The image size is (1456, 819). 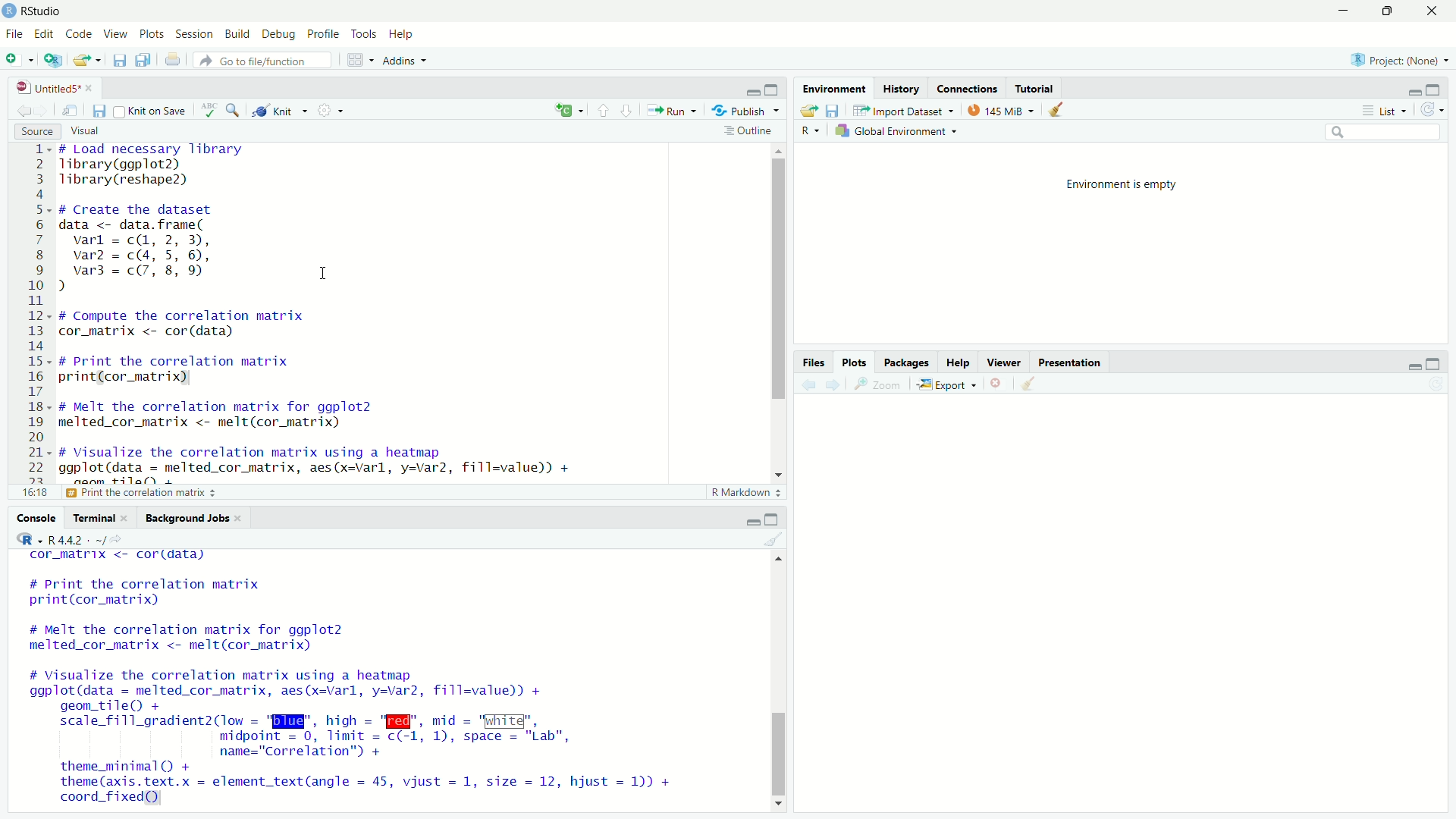 What do you see at coordinates (1386, 11) in the screenshot?
I see `maximize` at bounding box center [1386, 11].